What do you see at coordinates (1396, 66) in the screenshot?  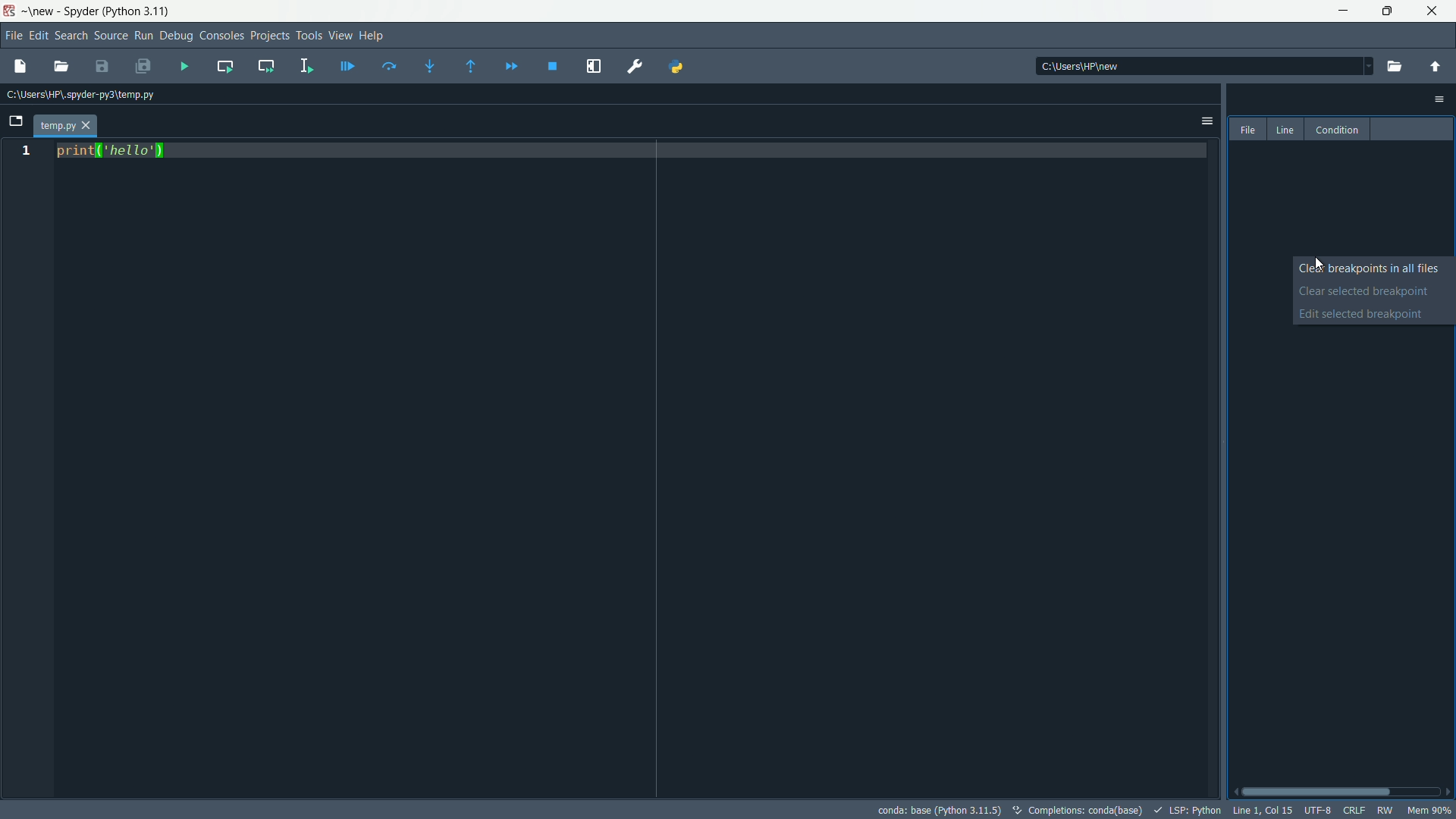 I see `browse directory` at bounding box center [1396, 66].